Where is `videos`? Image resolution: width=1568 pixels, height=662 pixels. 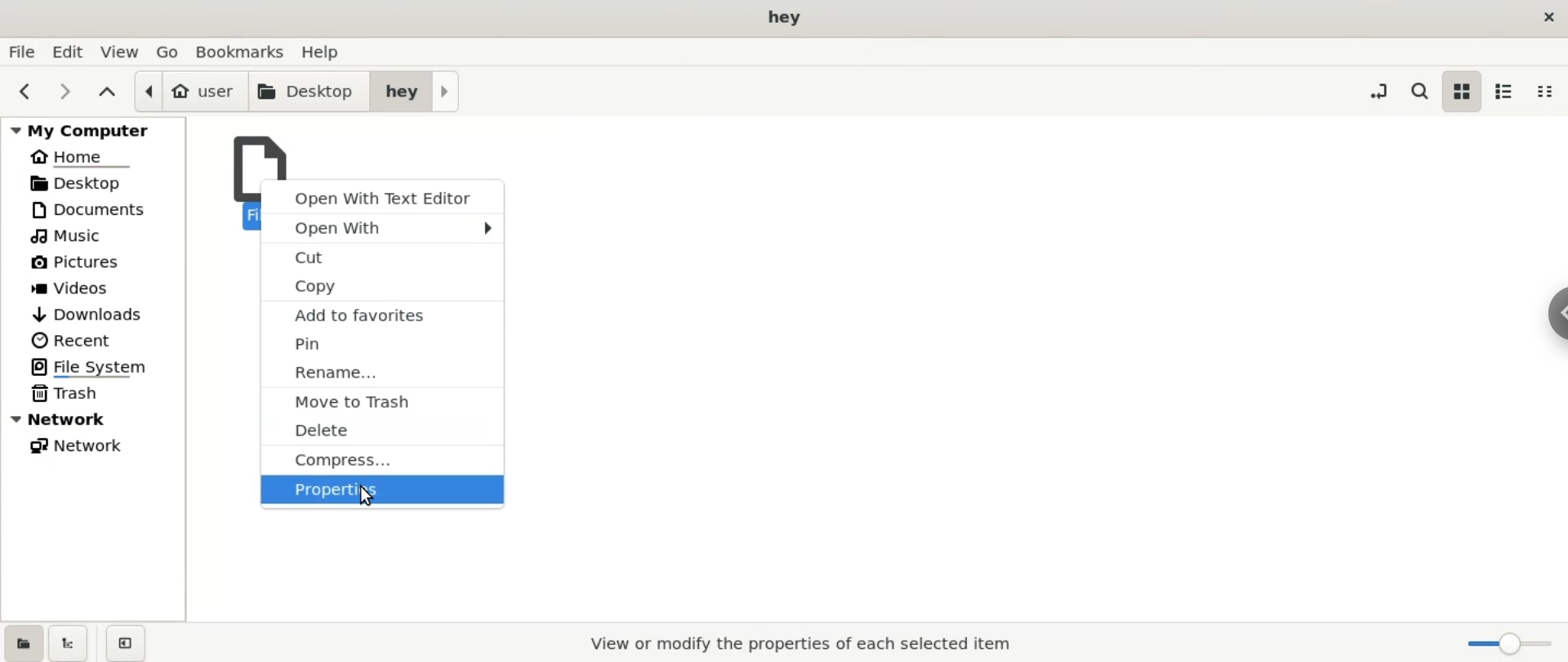
videos is located at coordinates (93, 288).